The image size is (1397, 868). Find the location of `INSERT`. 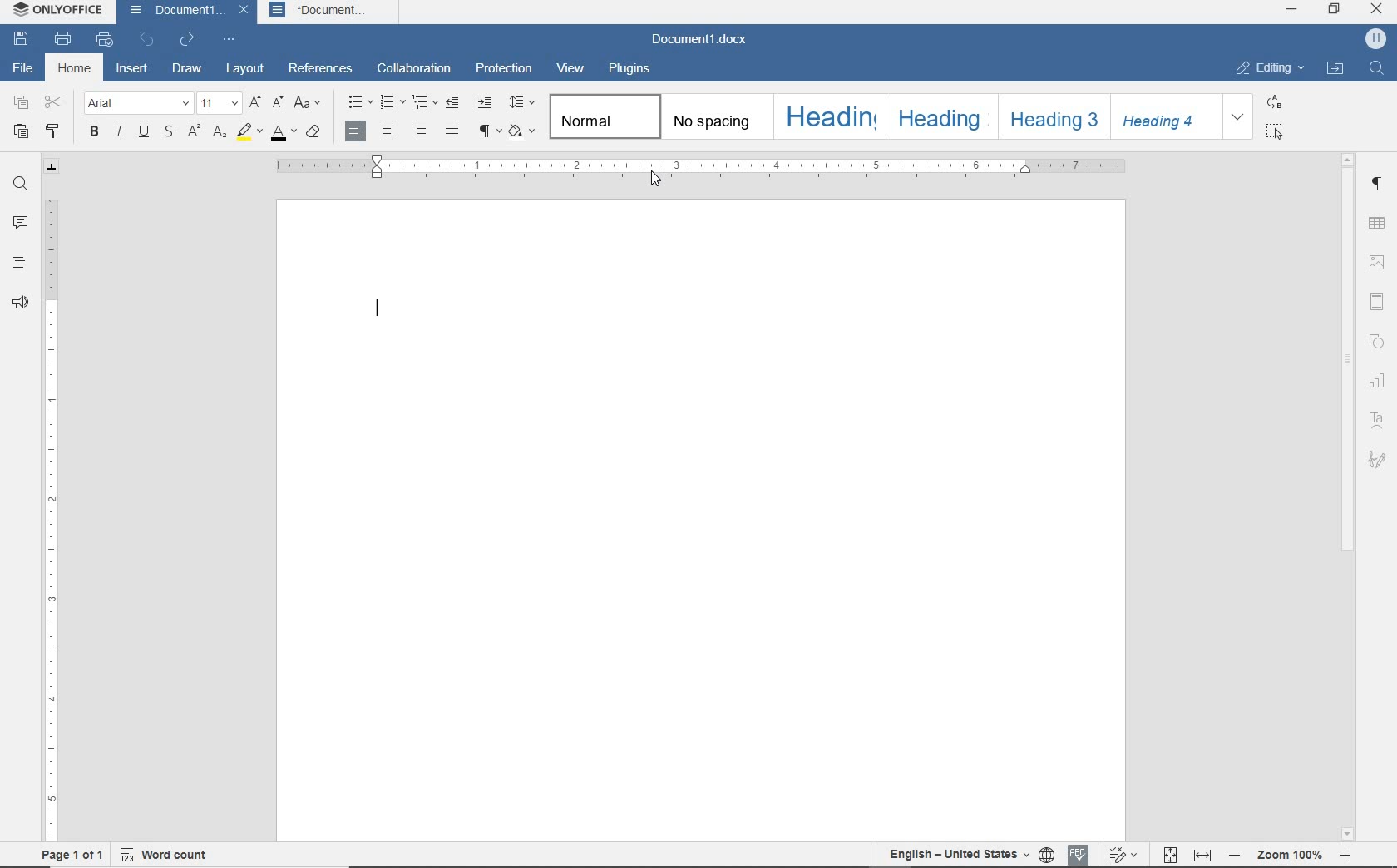

INSERT is located at coordinates (133, 70).